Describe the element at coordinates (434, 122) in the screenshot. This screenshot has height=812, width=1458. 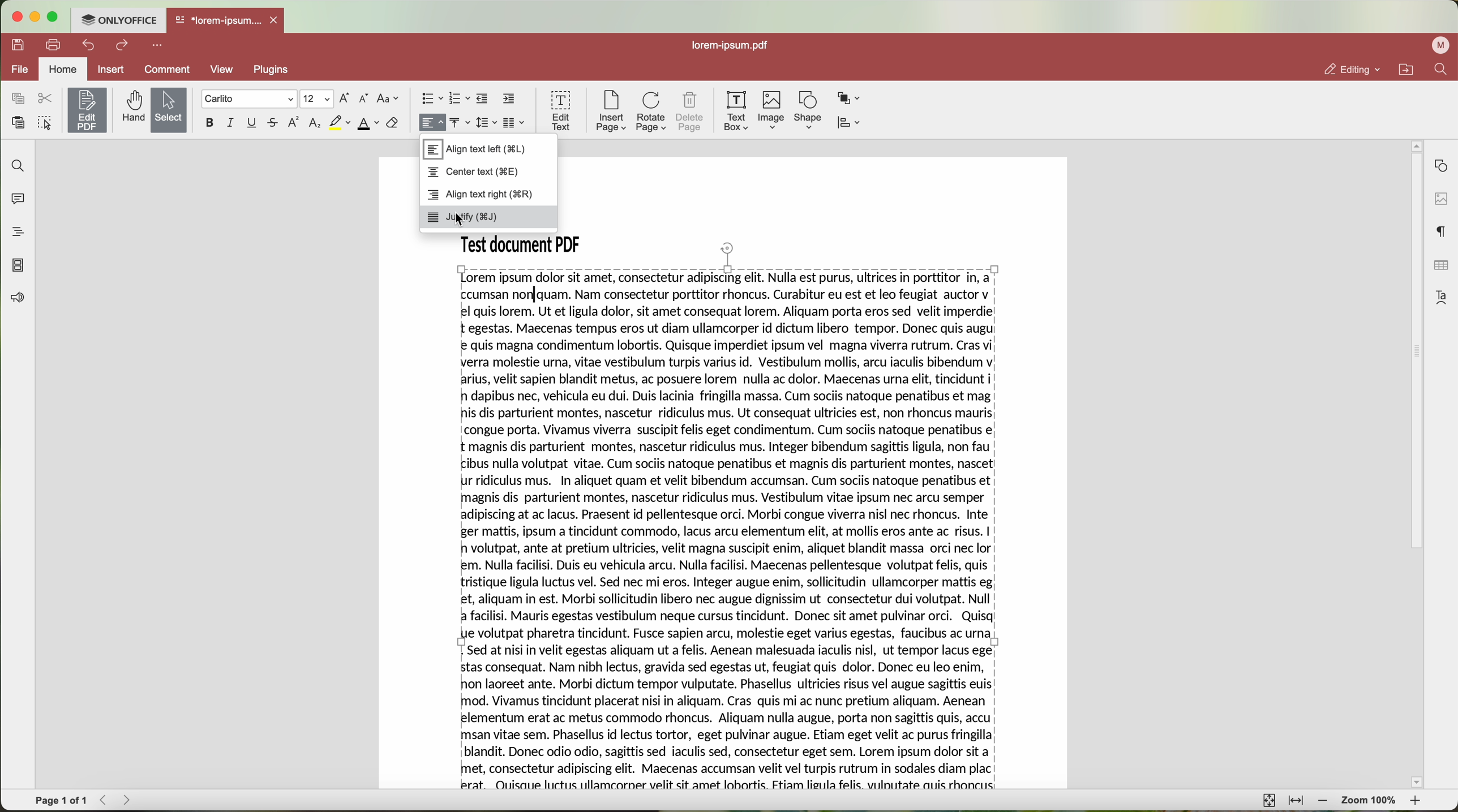
I see `horizontal align` at that location.